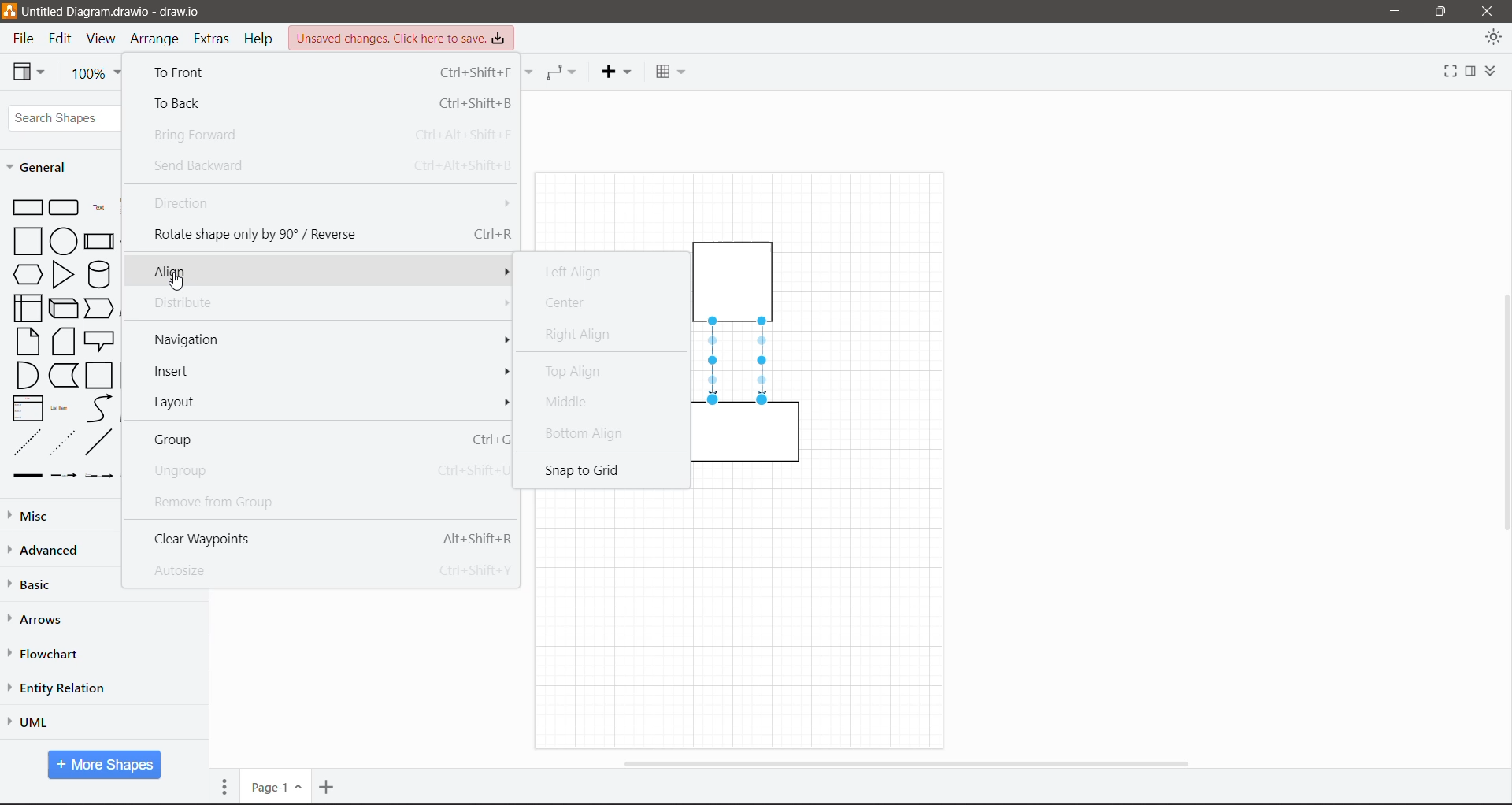  Describe the element at coordinates (43, 167) in the screenshot. I see `General` at that location.